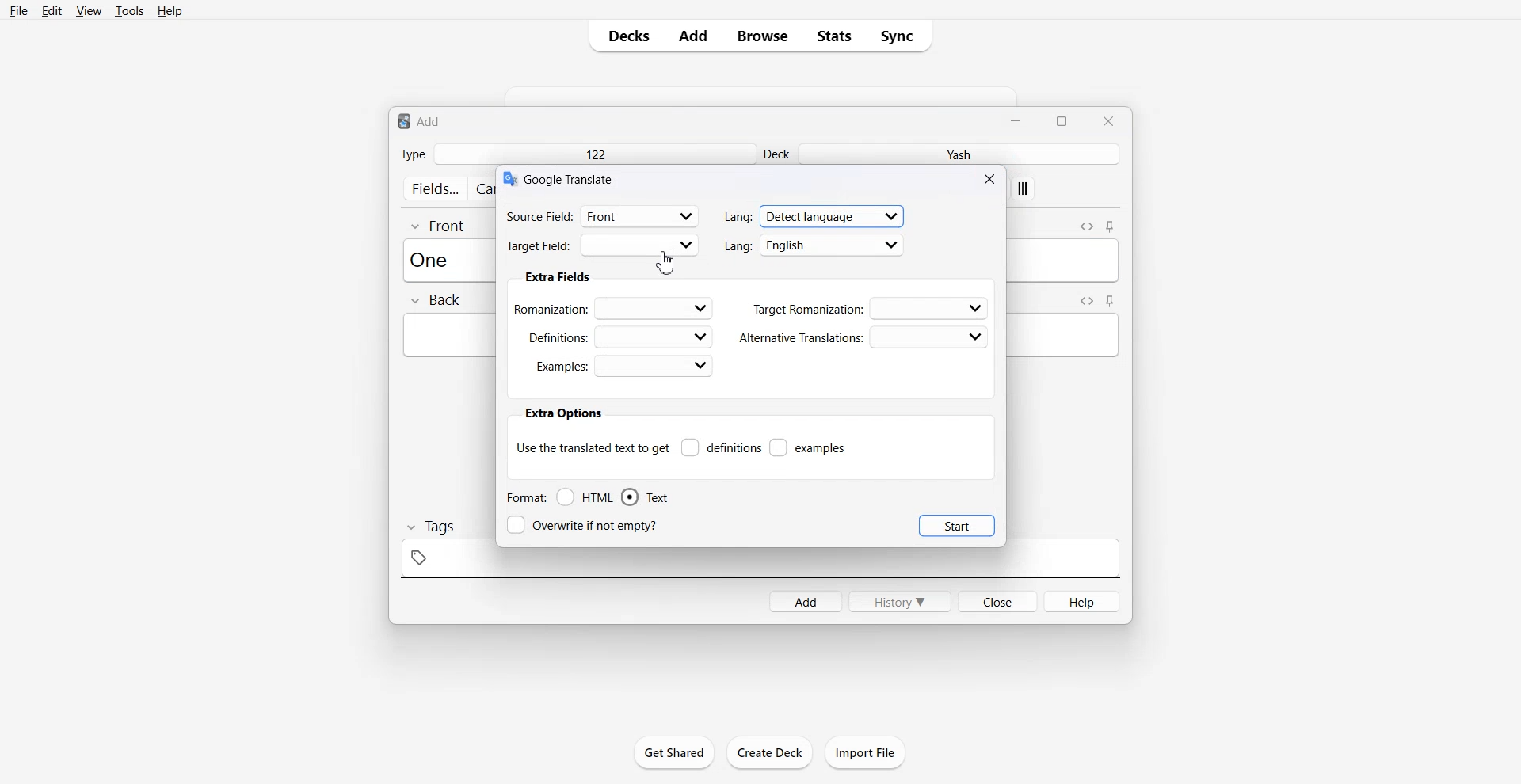 Image resolution: width=1521 pixels, height=784 pixels. Describe the element at coordinates (585, 525) in the screenshot. I see `Overwrite if not empty` at that location.